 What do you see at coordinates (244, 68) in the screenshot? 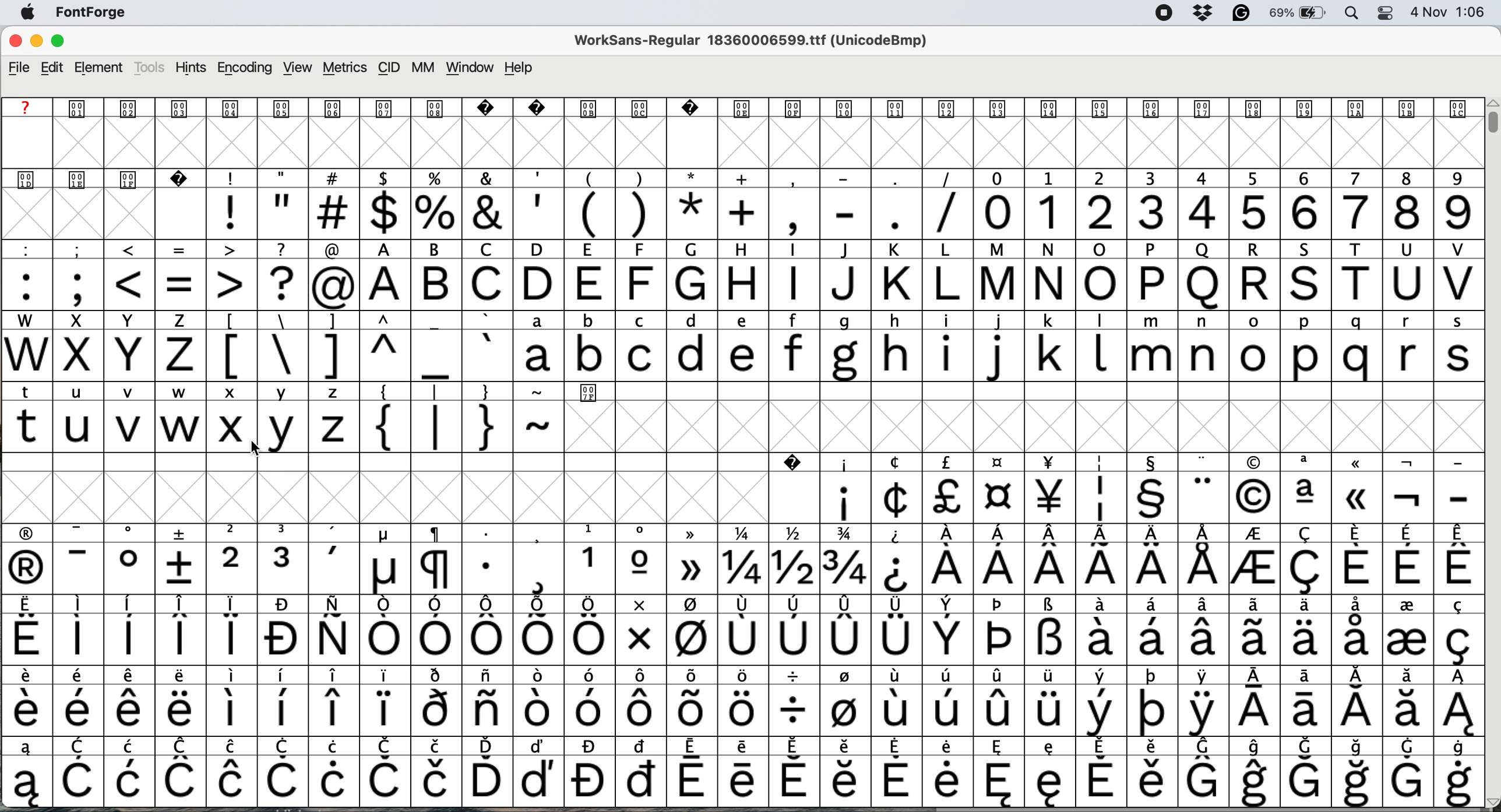
I see `encoding` at bounding box center [244, 68].